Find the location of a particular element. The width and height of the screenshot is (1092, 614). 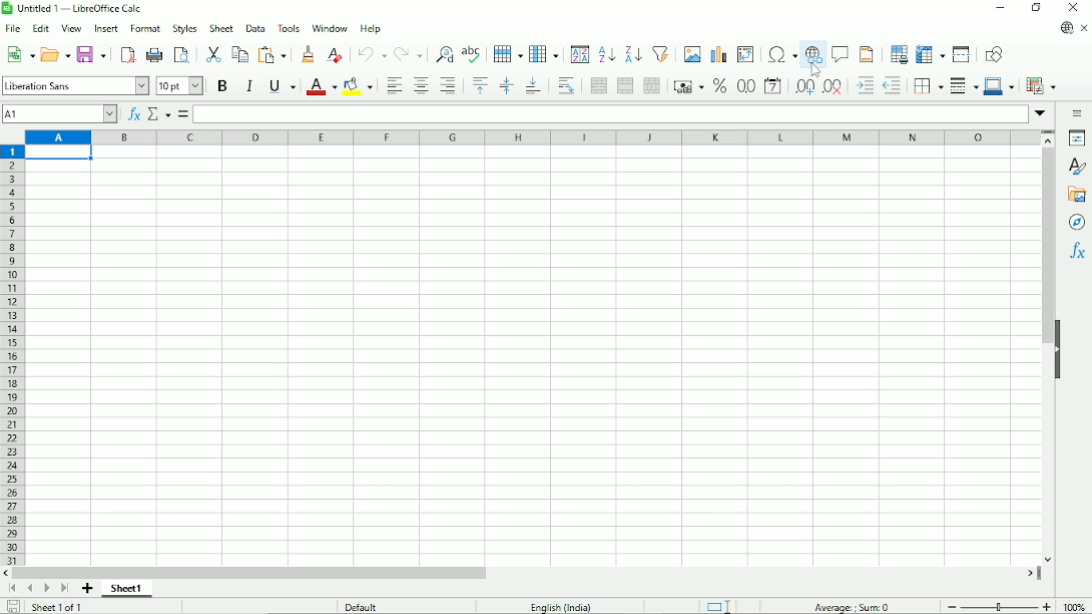

Split window is located at coordinates (962, 55).